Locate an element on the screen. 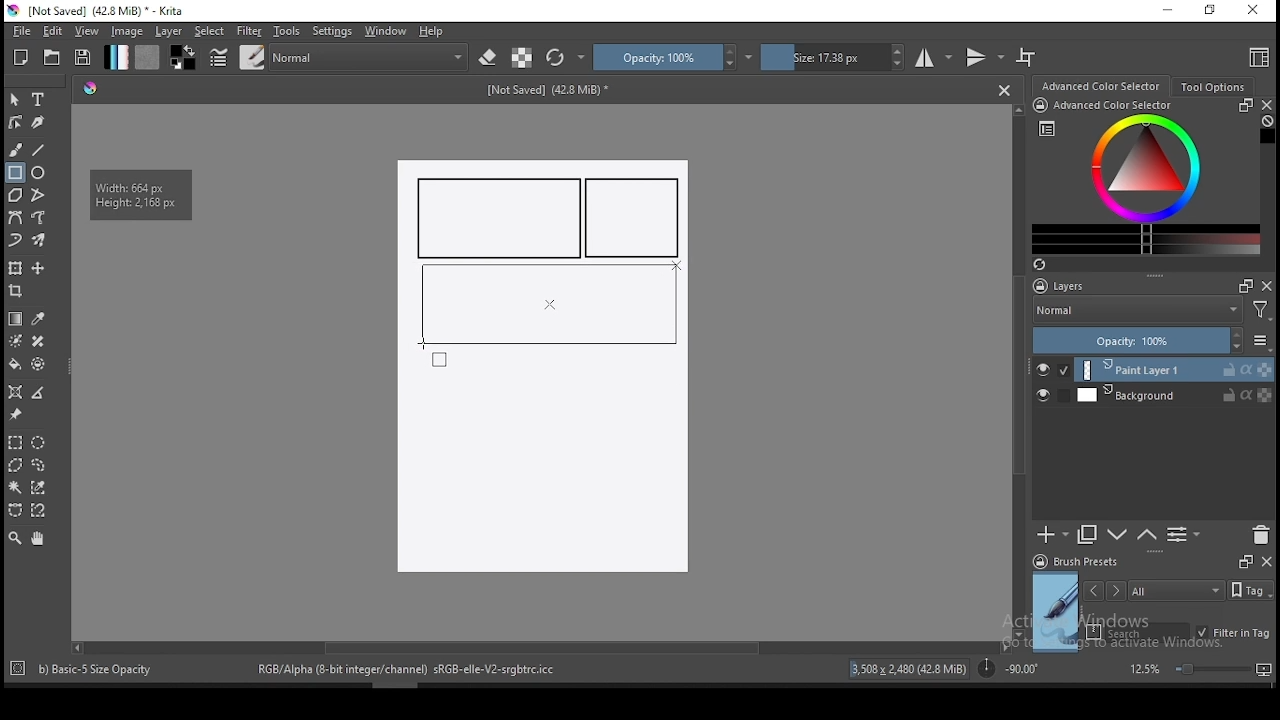  colors is located at coordinates (183, 57).